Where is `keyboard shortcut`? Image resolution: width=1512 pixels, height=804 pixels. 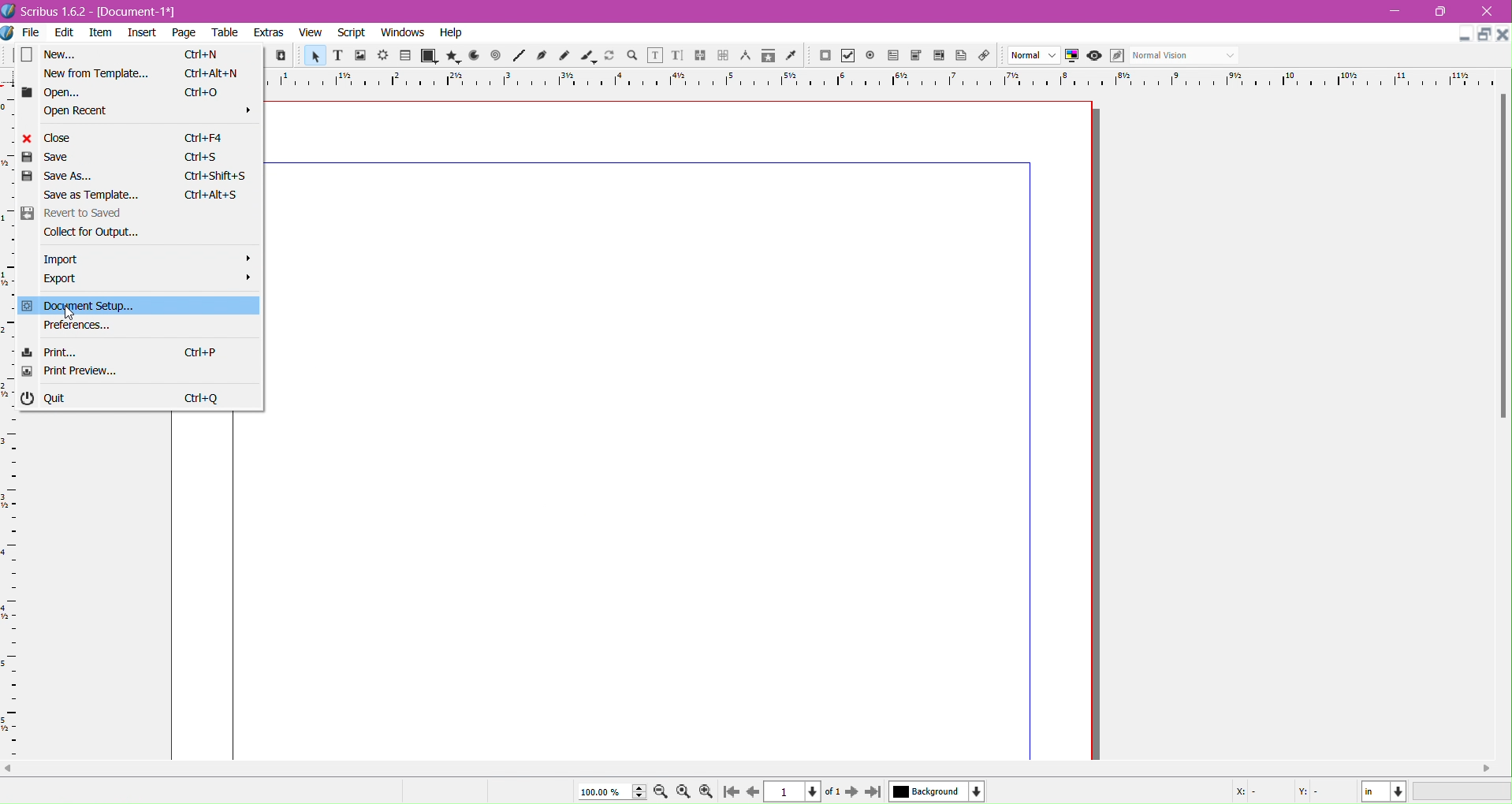
keyboard shortcut is located at coordinates (205, 399).